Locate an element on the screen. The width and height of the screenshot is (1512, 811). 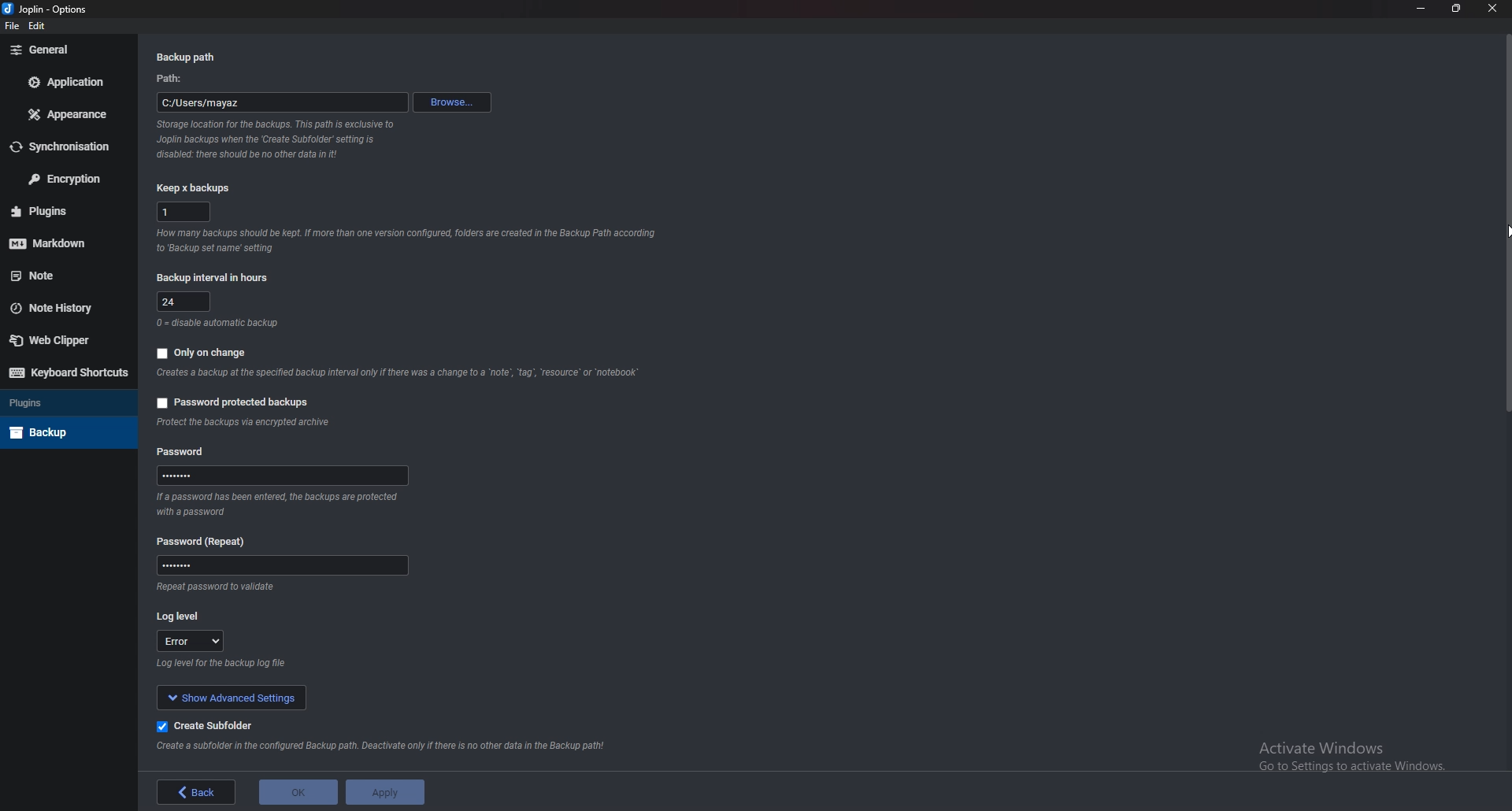
edit is located at coordinates (39, 28).